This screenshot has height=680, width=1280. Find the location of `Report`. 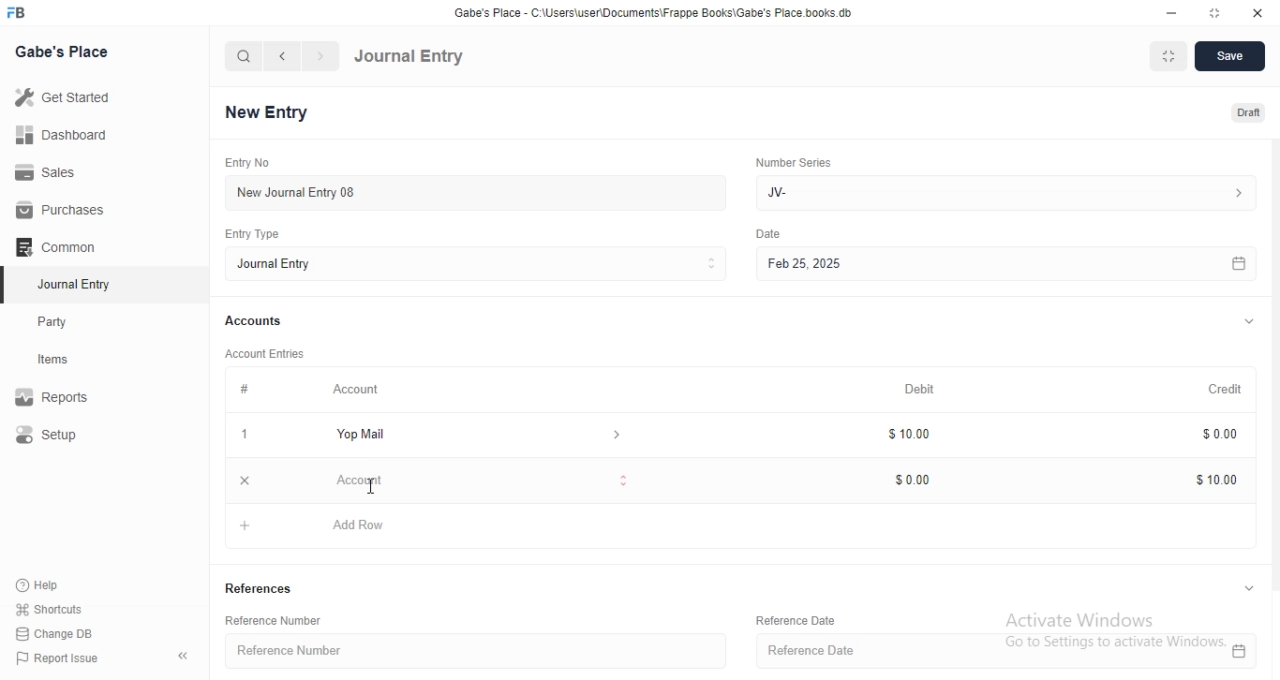

Report is located at coordinates (67, 397).